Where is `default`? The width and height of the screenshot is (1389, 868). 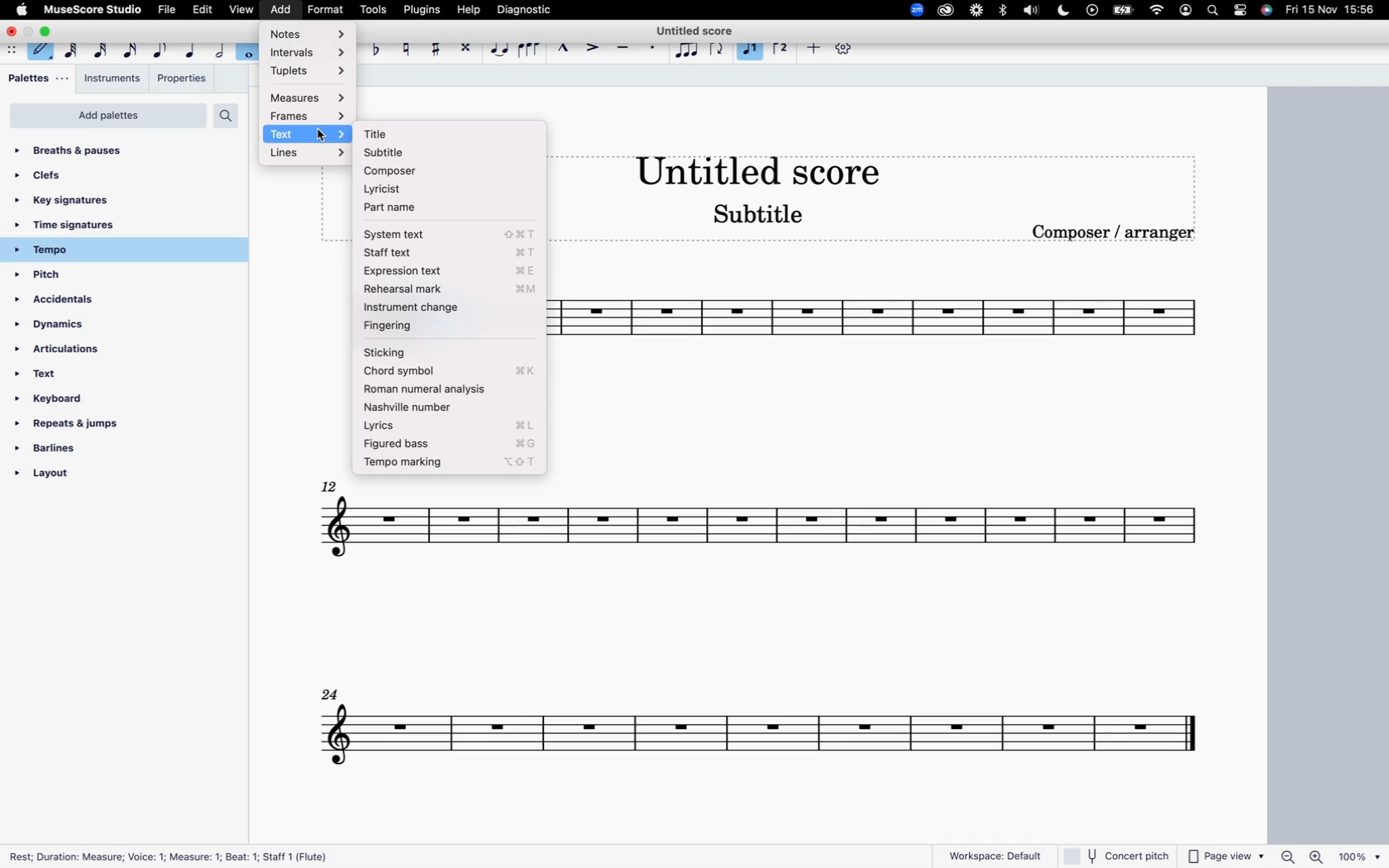 default is located at coordinates (41, 48).